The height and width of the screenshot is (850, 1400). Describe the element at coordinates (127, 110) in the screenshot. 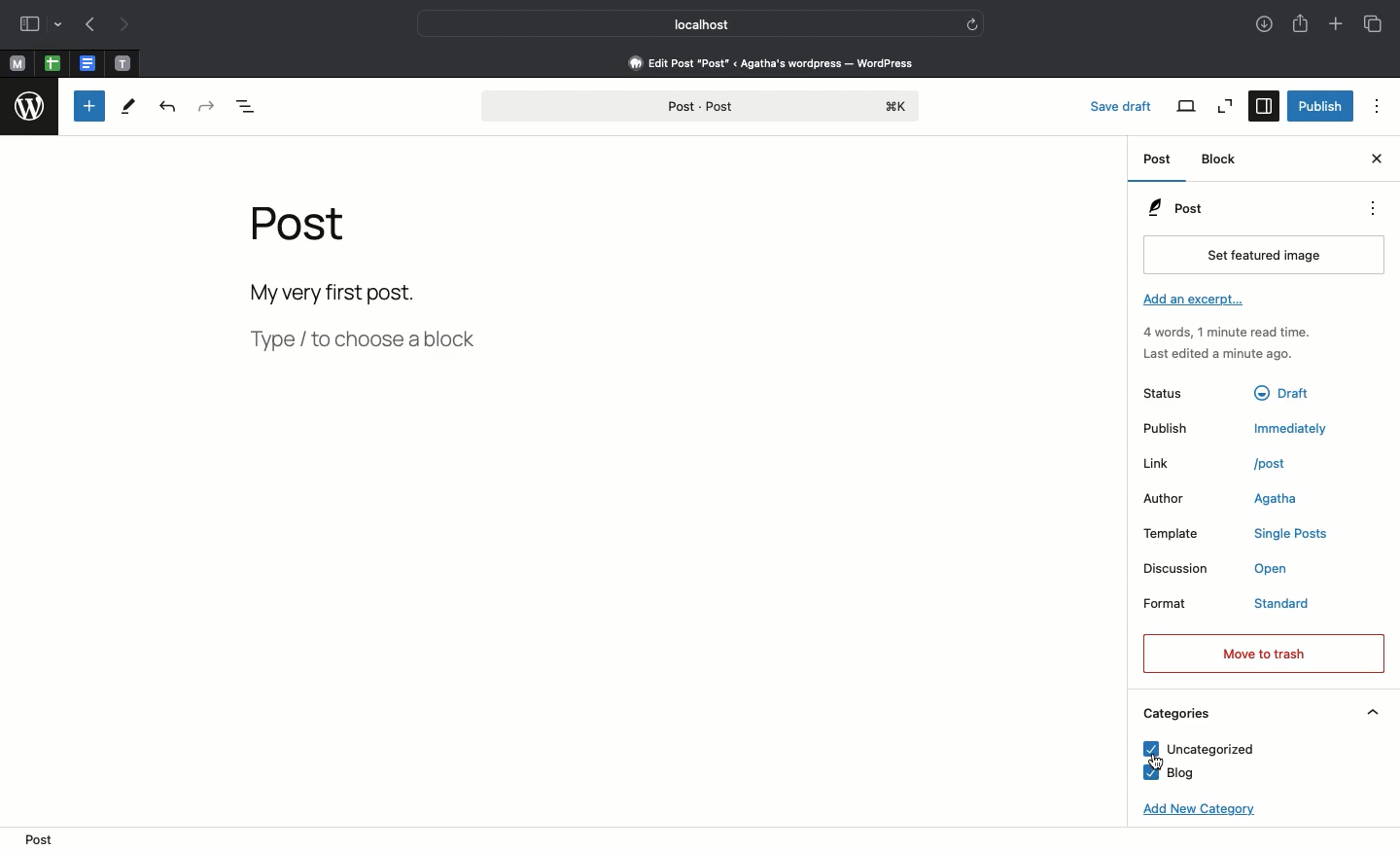

I see `Tools` at that location.